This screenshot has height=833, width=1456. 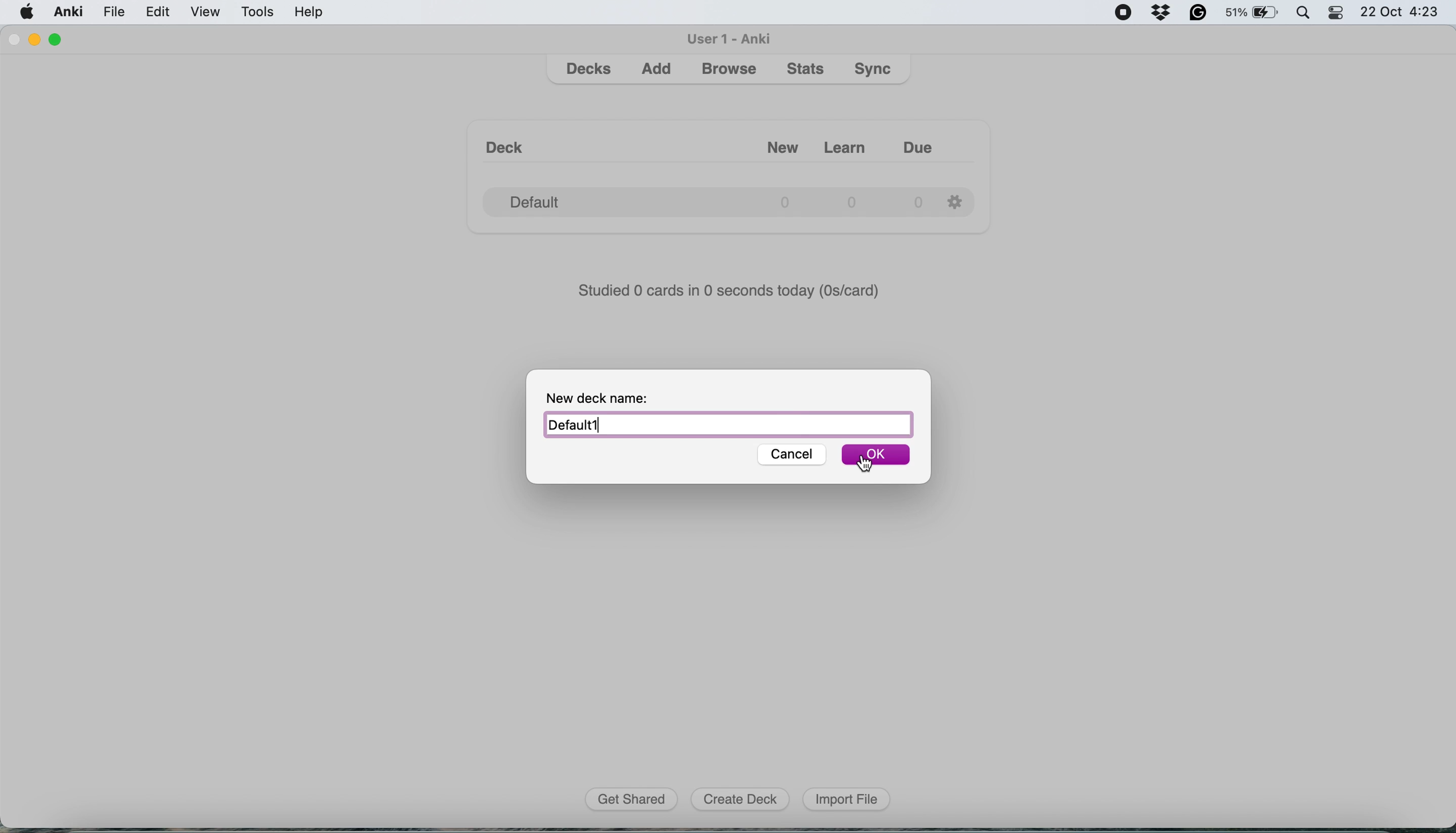 What do you see at coordinates (659, 72) in the screenshot?
I see `add` at bounding box center [659, 72].